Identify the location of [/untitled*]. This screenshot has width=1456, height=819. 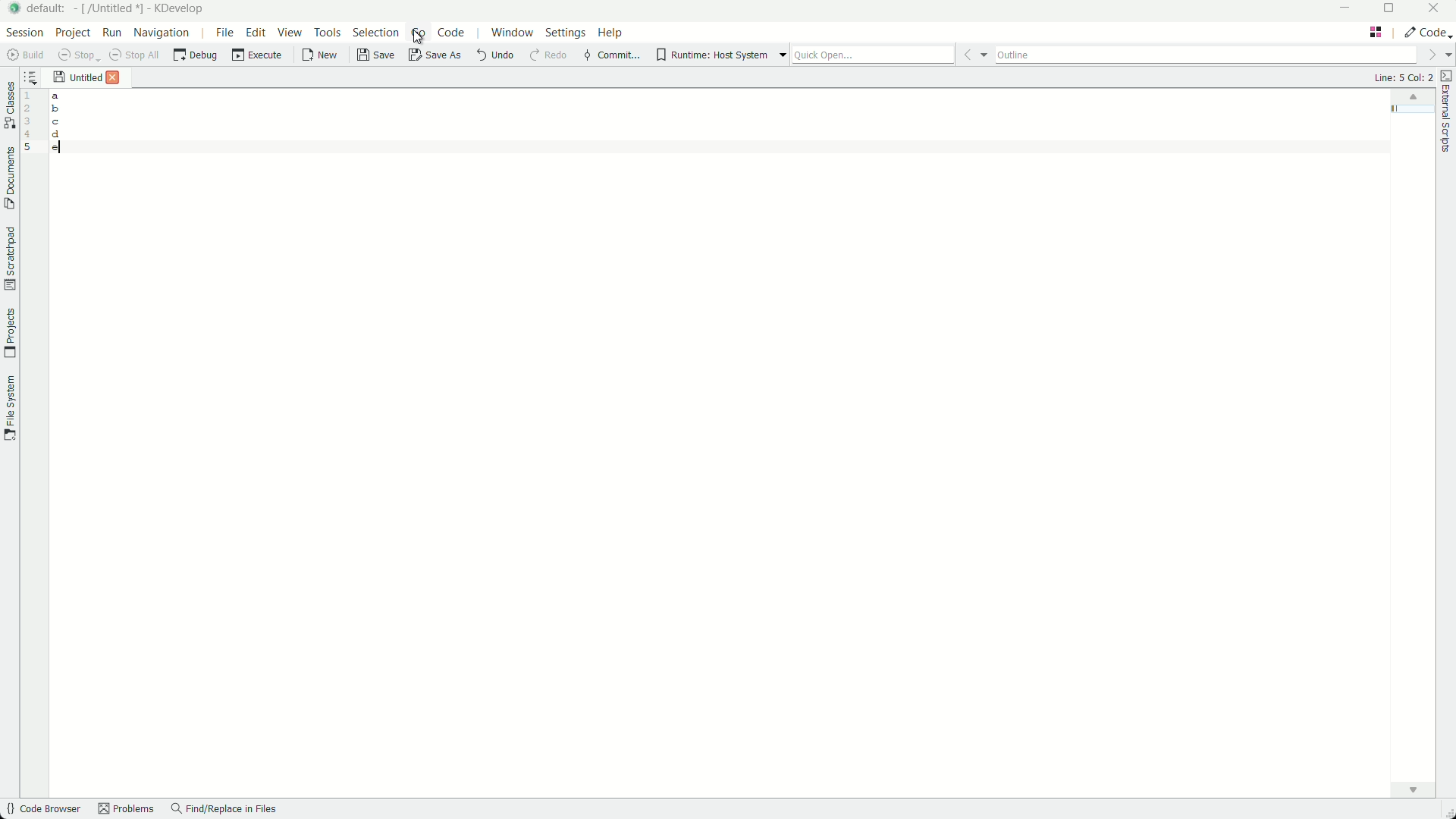
(111, 10).